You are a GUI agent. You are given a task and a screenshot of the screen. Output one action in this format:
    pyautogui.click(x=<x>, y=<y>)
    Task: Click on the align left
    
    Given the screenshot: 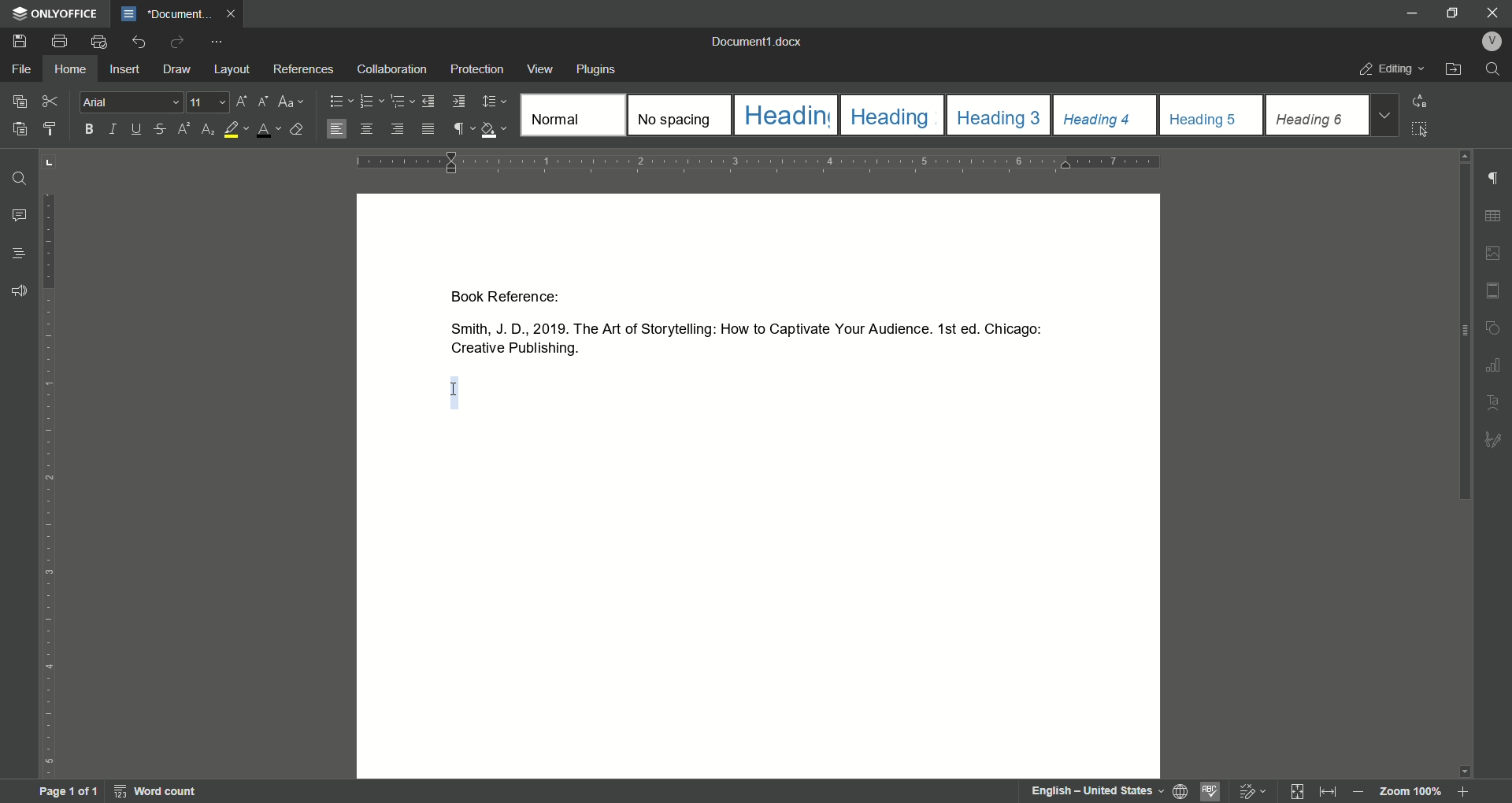 What is the action you would take?
    pyautogui.click(x=336, y=129)
    